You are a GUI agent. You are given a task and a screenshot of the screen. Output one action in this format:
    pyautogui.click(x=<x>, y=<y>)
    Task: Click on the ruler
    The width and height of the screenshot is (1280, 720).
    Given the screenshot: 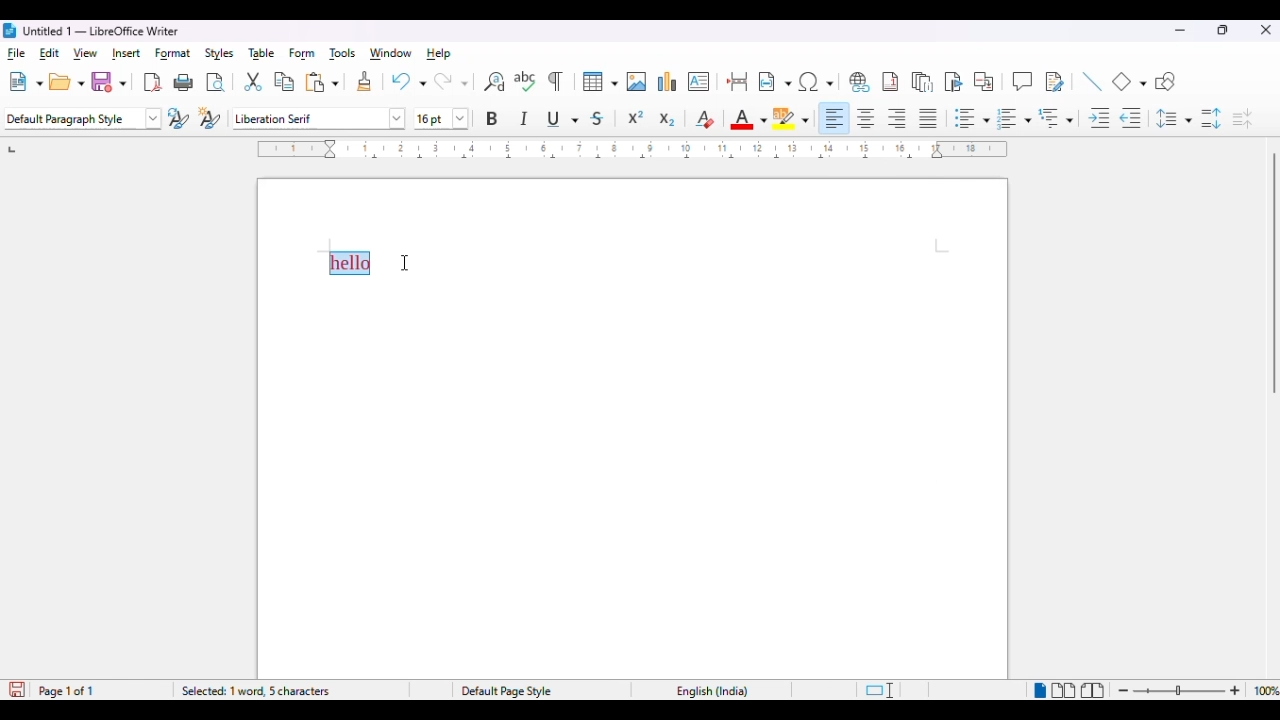 What is the action you would take?
    pyautogui.click(x=634, y=152)
    